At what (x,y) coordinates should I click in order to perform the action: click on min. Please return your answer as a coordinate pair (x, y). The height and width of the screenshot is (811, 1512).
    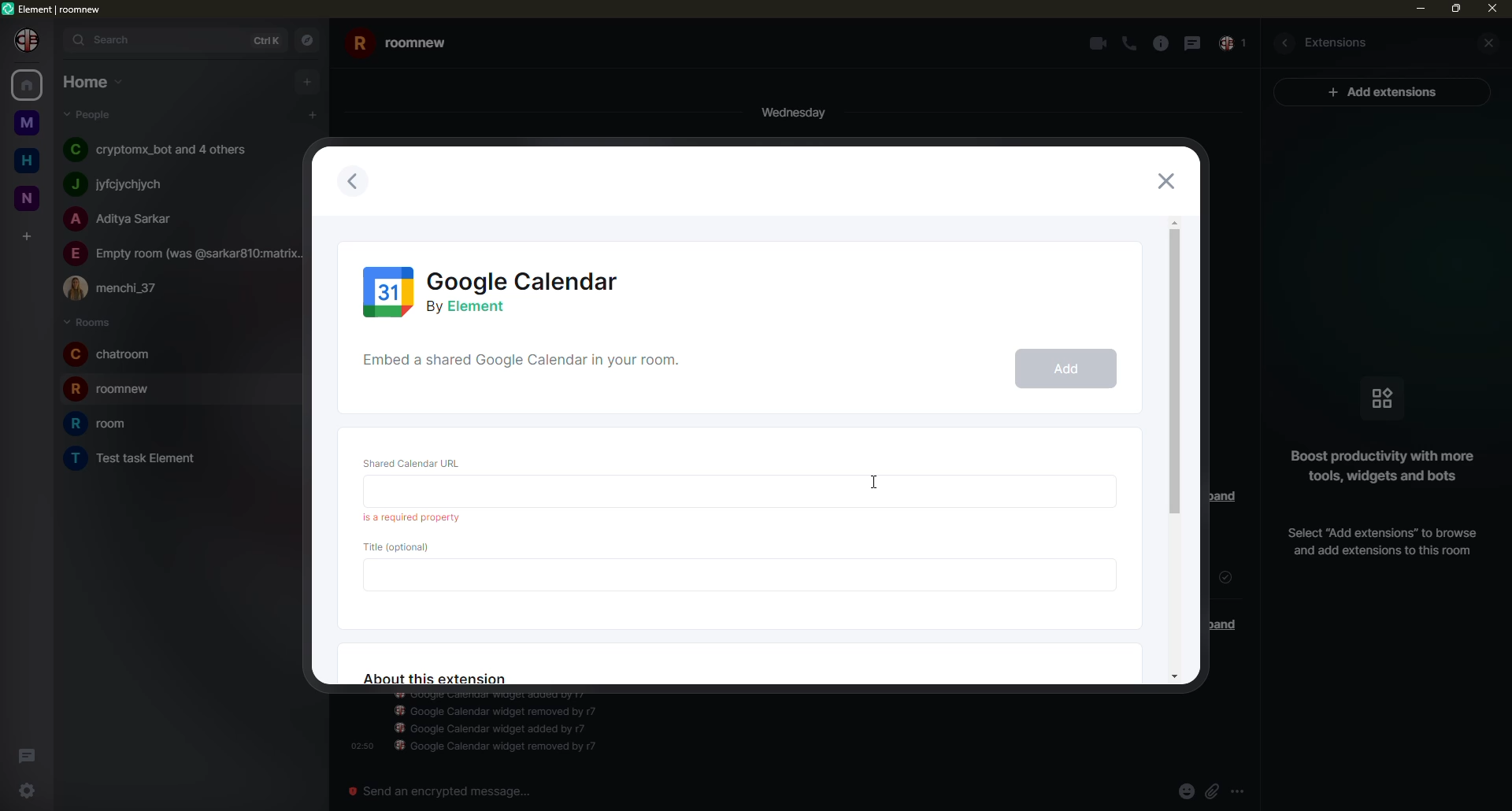
    Looking at the image, I should click on (1415, 9).